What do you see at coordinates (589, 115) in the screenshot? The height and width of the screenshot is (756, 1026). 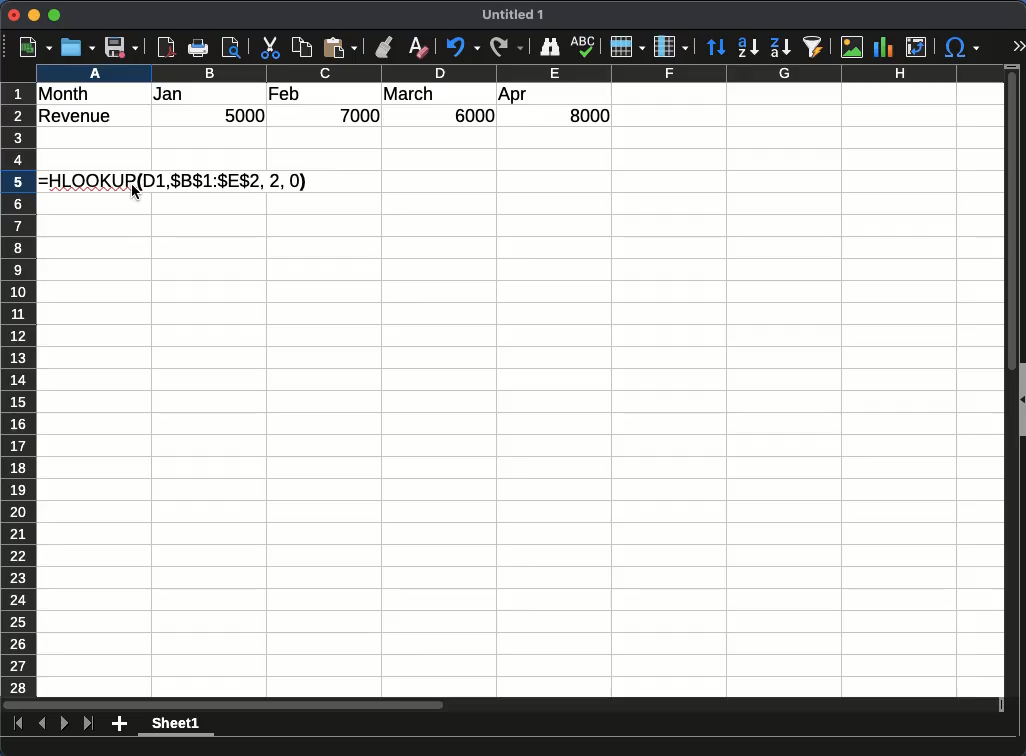 I see `8000` at bounding box center [589, 115].